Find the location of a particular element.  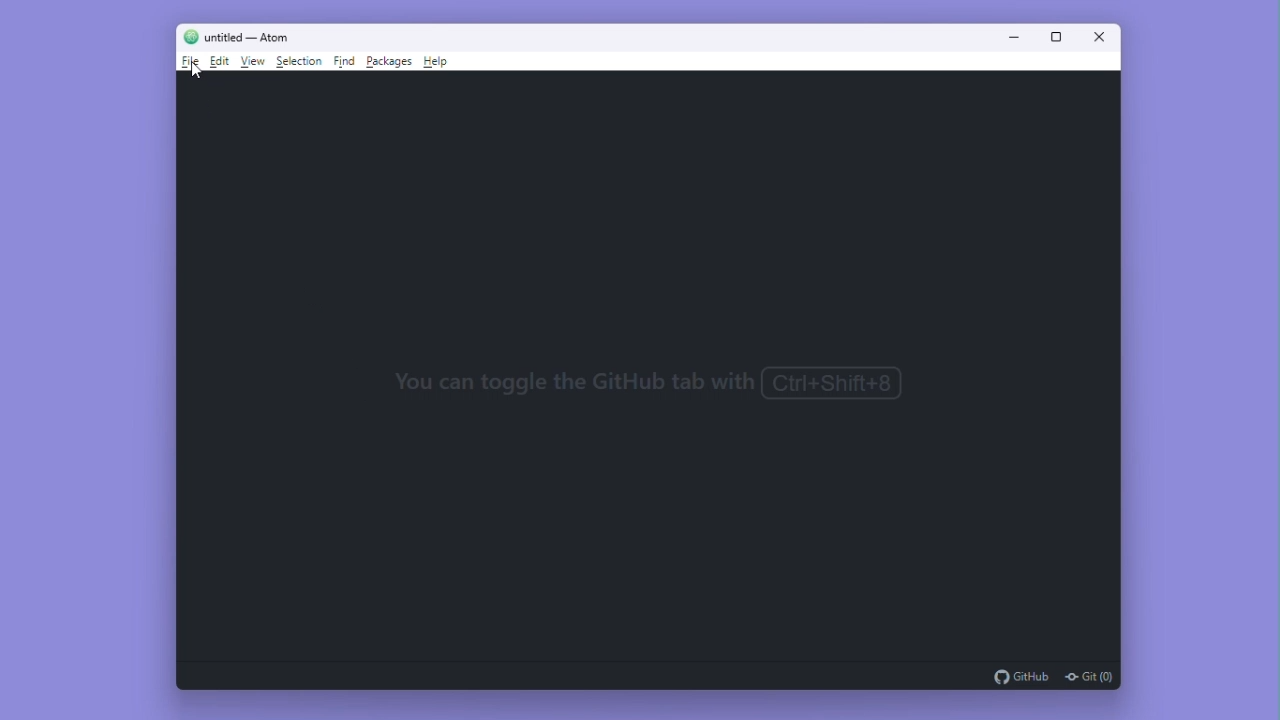

Maximize is located at coordinates (1050, 37).